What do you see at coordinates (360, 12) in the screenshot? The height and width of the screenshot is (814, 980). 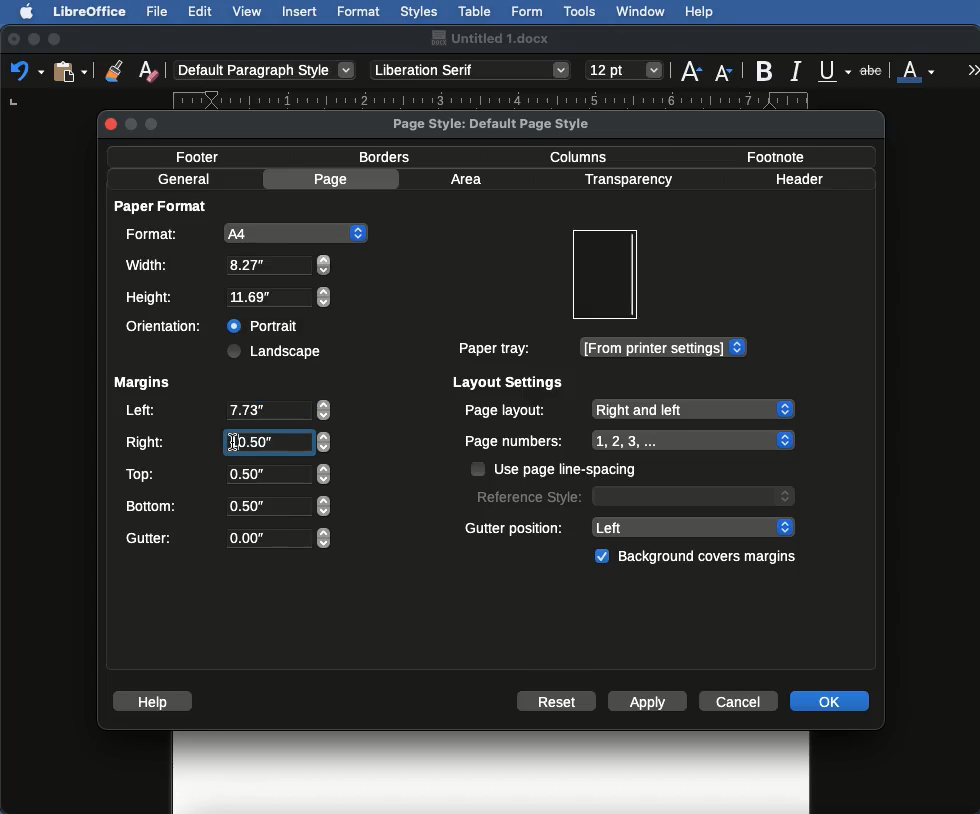 I see `Format` at bounding box center [360, 12].